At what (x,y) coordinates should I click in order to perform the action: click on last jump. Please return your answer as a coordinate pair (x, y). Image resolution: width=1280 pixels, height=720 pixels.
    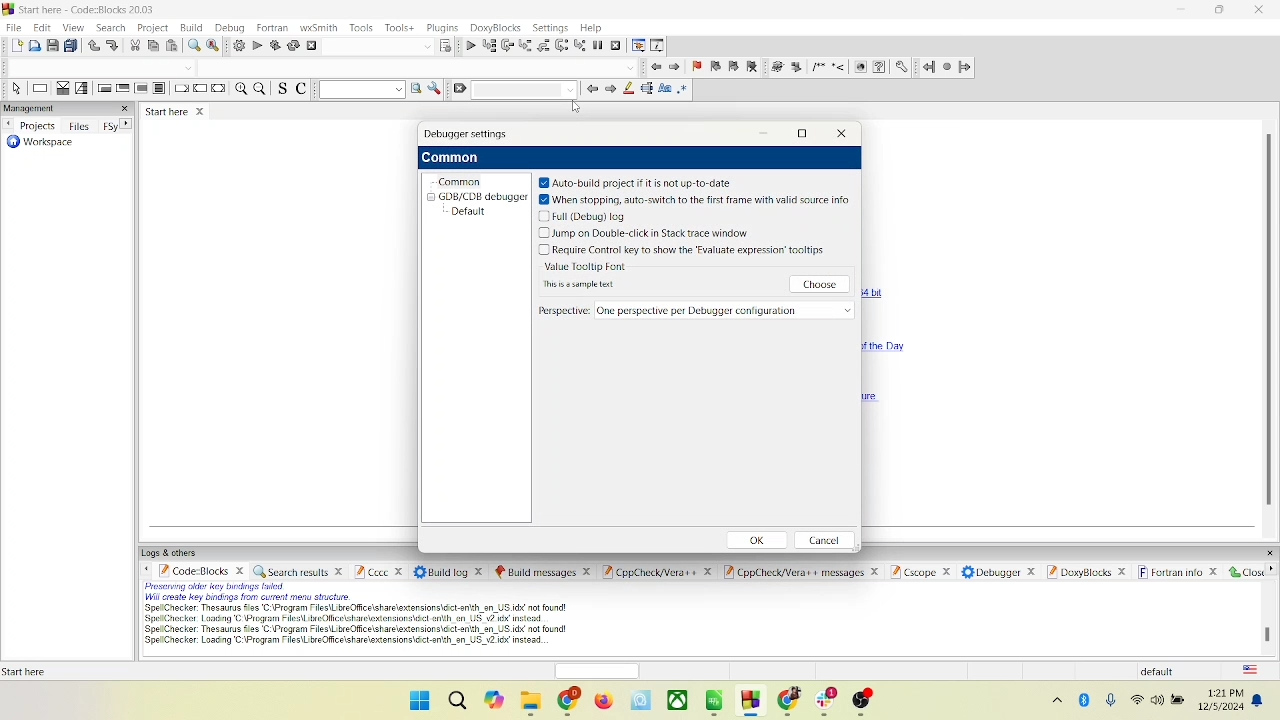
    Looking at the image, I should click on (947, 67).